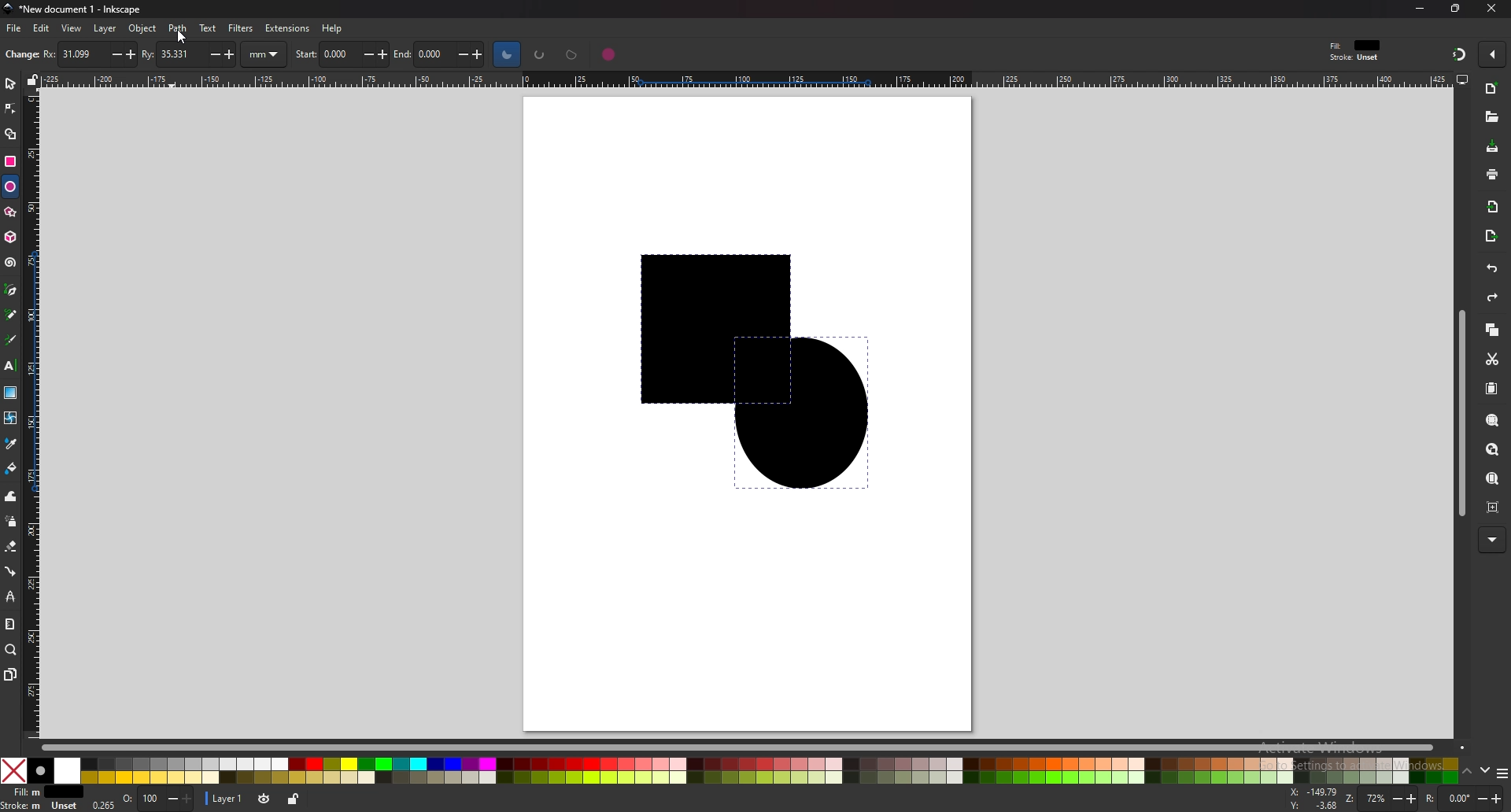  Describe the element at coordinates (11, 546) in the screenshot. I see `eraser` at that location.